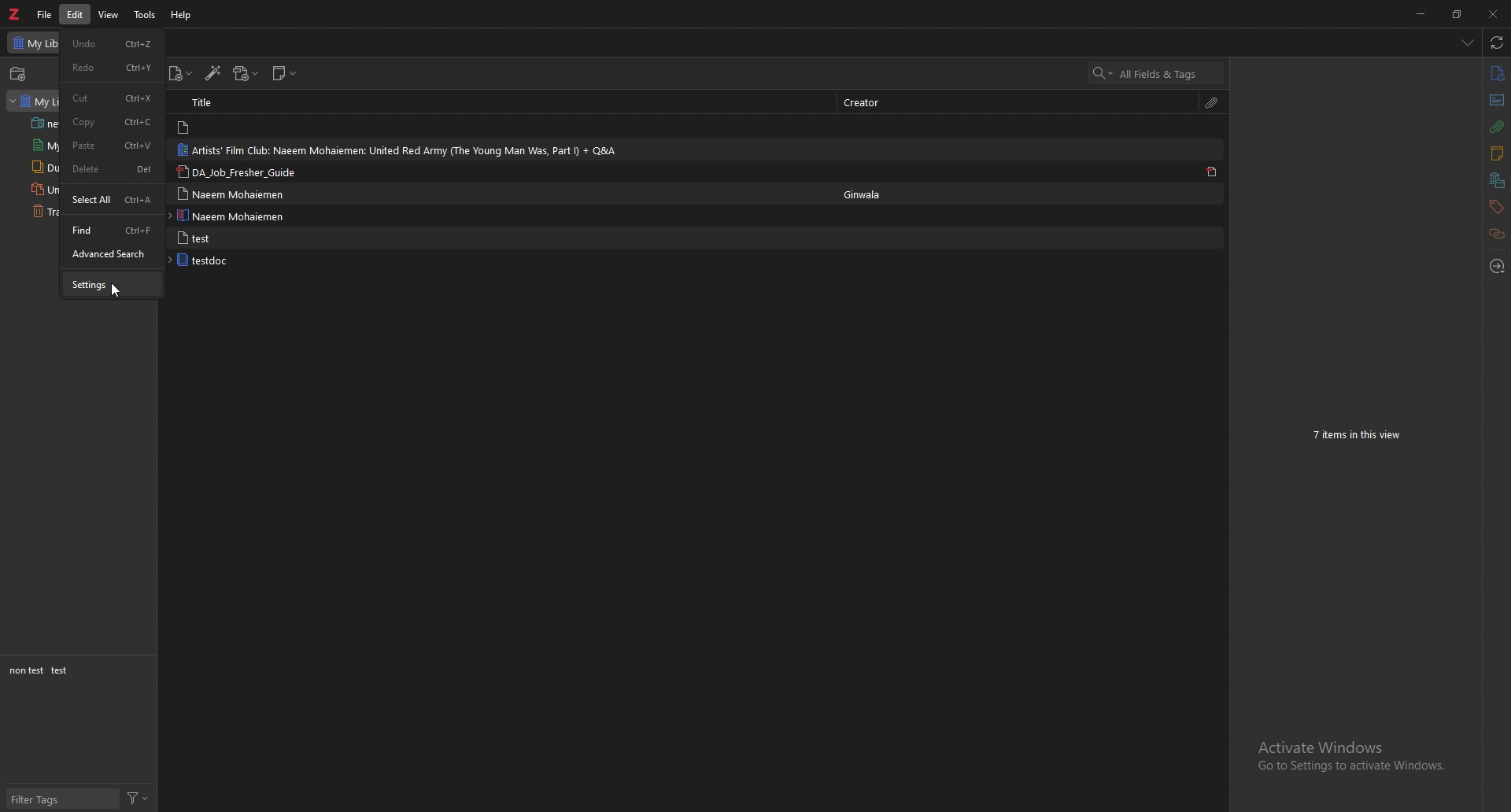 Image resolution: width=1511 pixels, height=812 pixels. What do you see at coordinates (1495, 101) in the screenshot?
I see `abstract` at bounding box center [1495, 101].